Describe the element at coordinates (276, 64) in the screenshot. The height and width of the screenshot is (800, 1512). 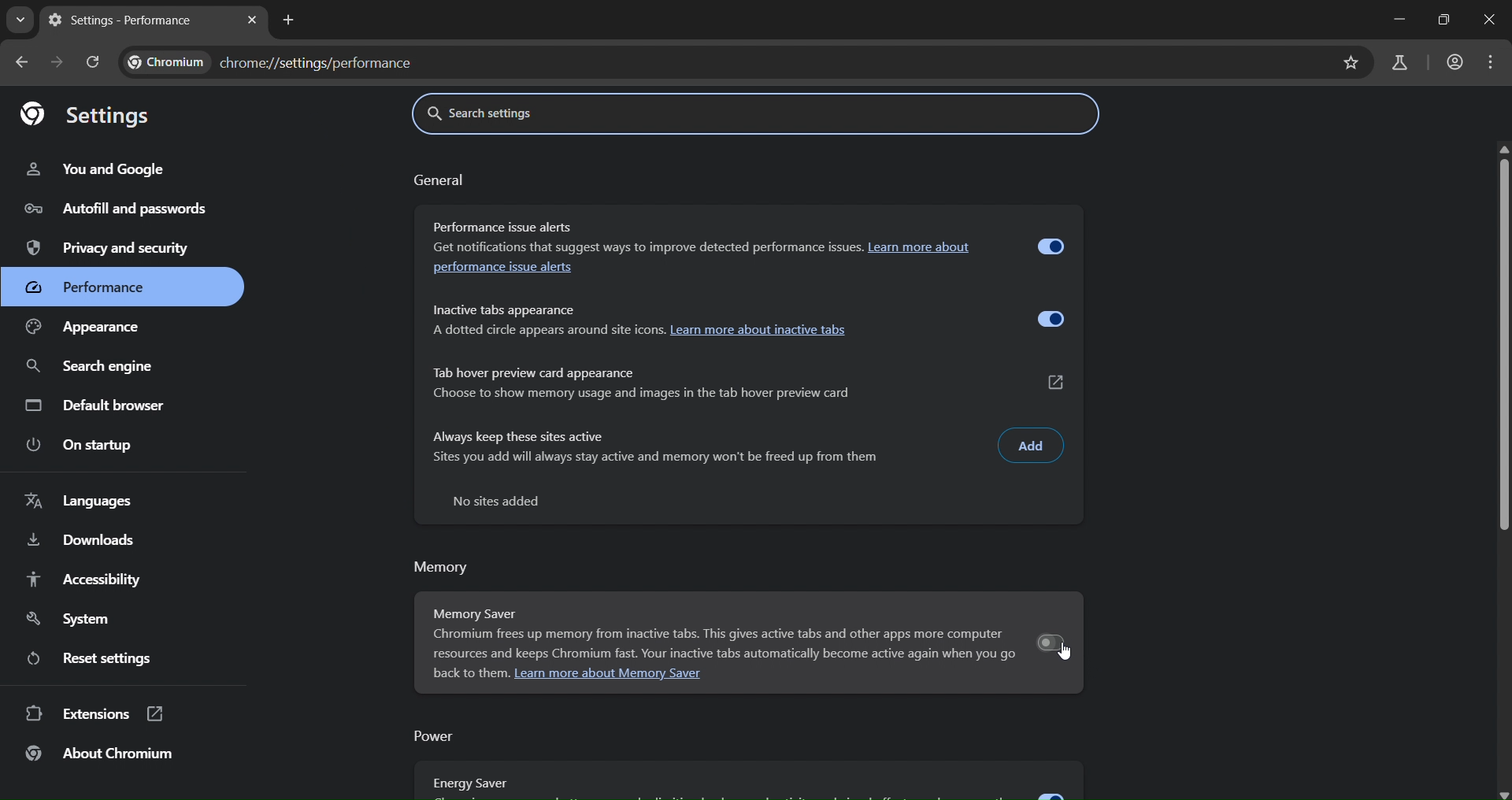
I see `chrome://settings/performance` at that location.